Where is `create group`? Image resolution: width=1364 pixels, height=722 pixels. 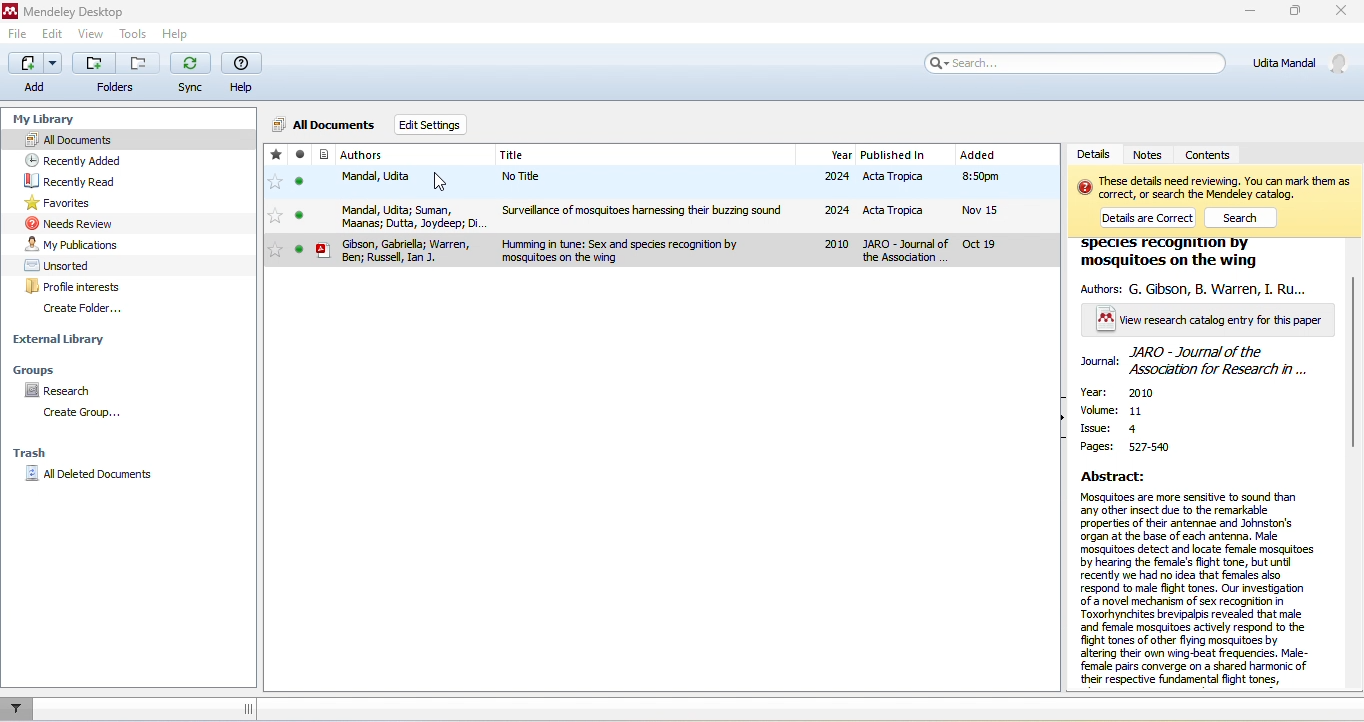 create group is located at coordinates (81, 414).